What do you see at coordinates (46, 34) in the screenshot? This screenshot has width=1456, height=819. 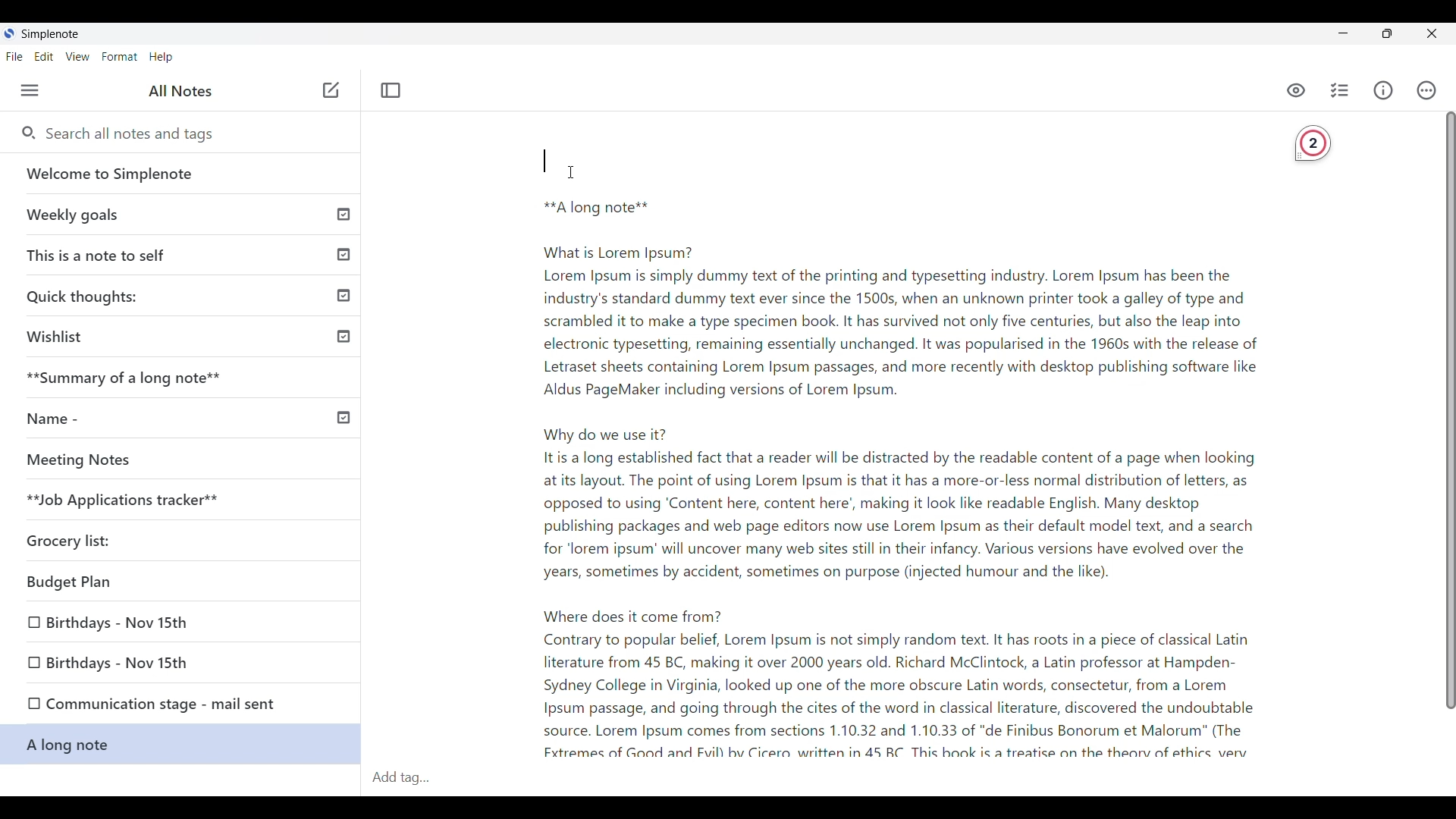 I see `SimpleNote` at bounding box center [46, 34].